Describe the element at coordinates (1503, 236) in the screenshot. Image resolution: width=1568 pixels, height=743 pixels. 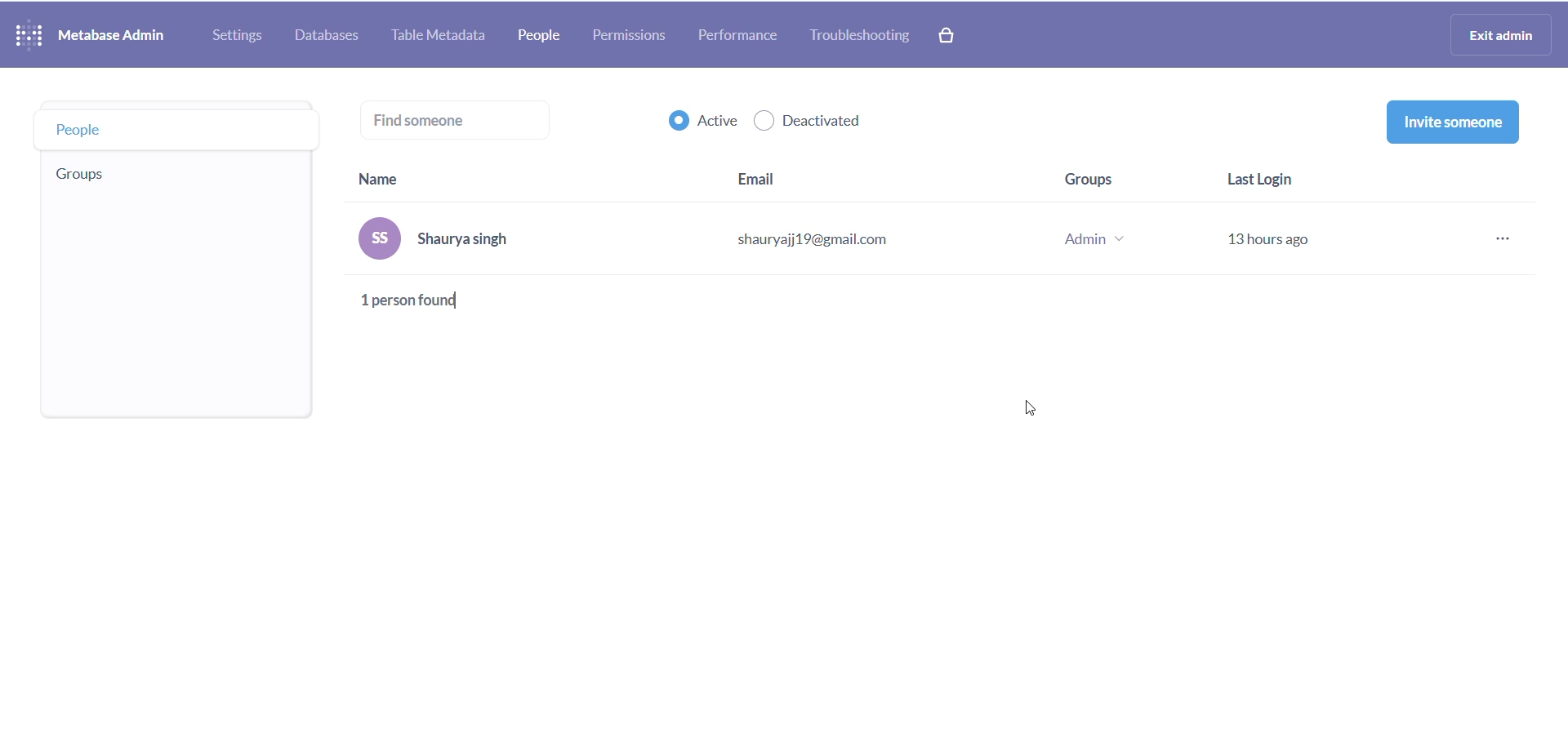
I see `more options` at that location.